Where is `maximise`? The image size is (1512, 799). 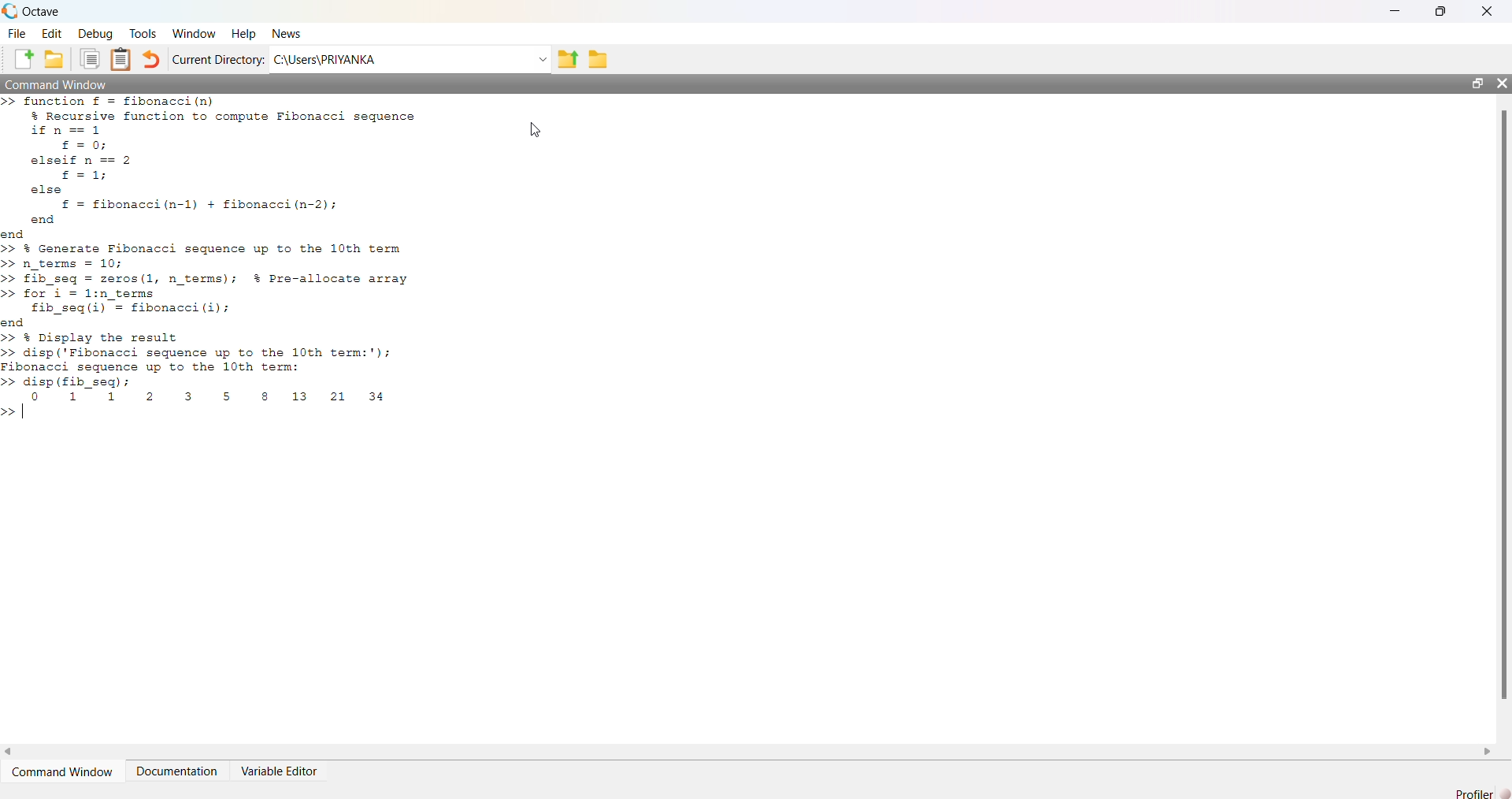
maximise is located at coordinates (1472, 82).